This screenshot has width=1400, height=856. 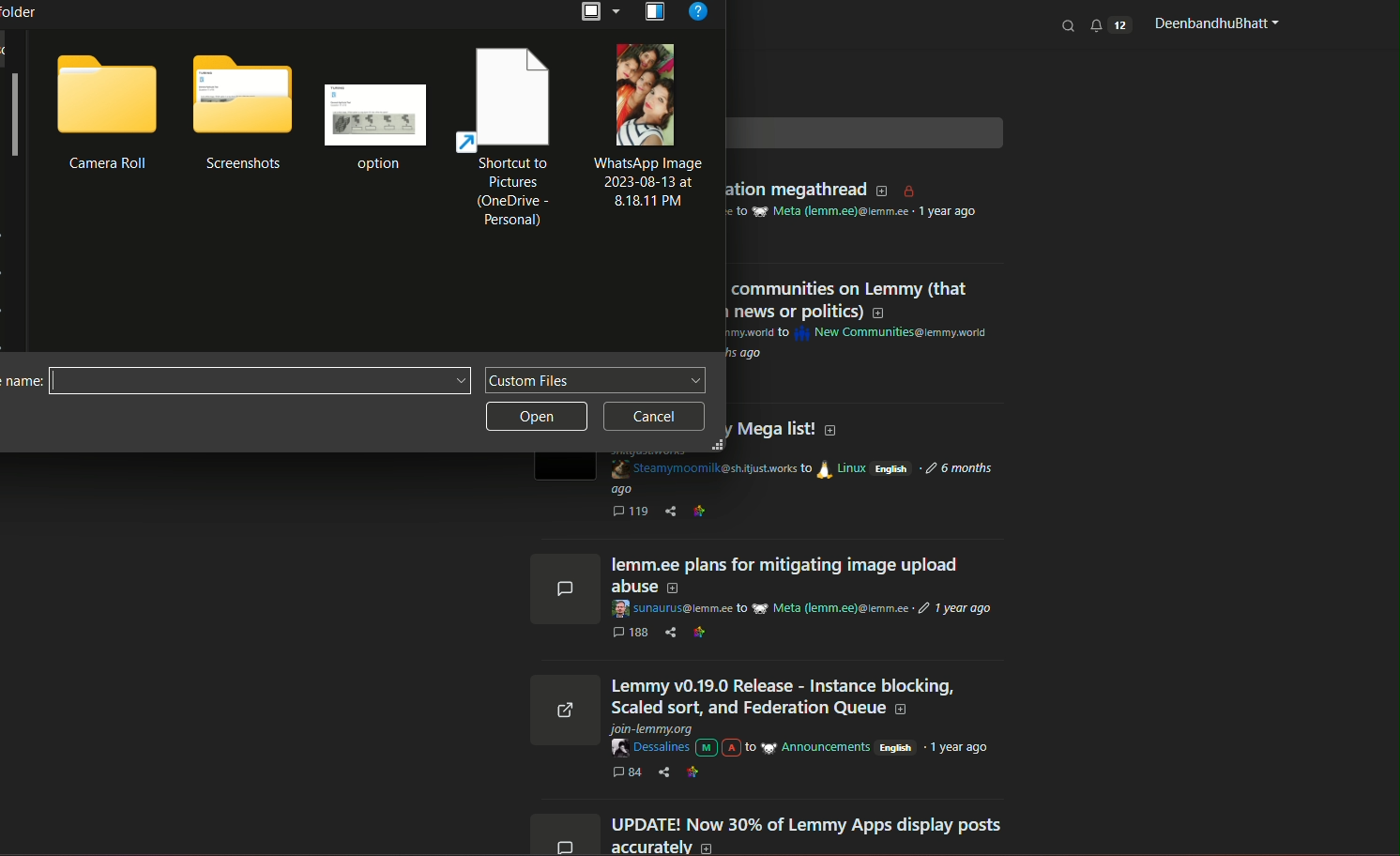 What do you see at coordinates (655, 417) in the screenshot?
I see `cancel` at bounding box center [655, 417].